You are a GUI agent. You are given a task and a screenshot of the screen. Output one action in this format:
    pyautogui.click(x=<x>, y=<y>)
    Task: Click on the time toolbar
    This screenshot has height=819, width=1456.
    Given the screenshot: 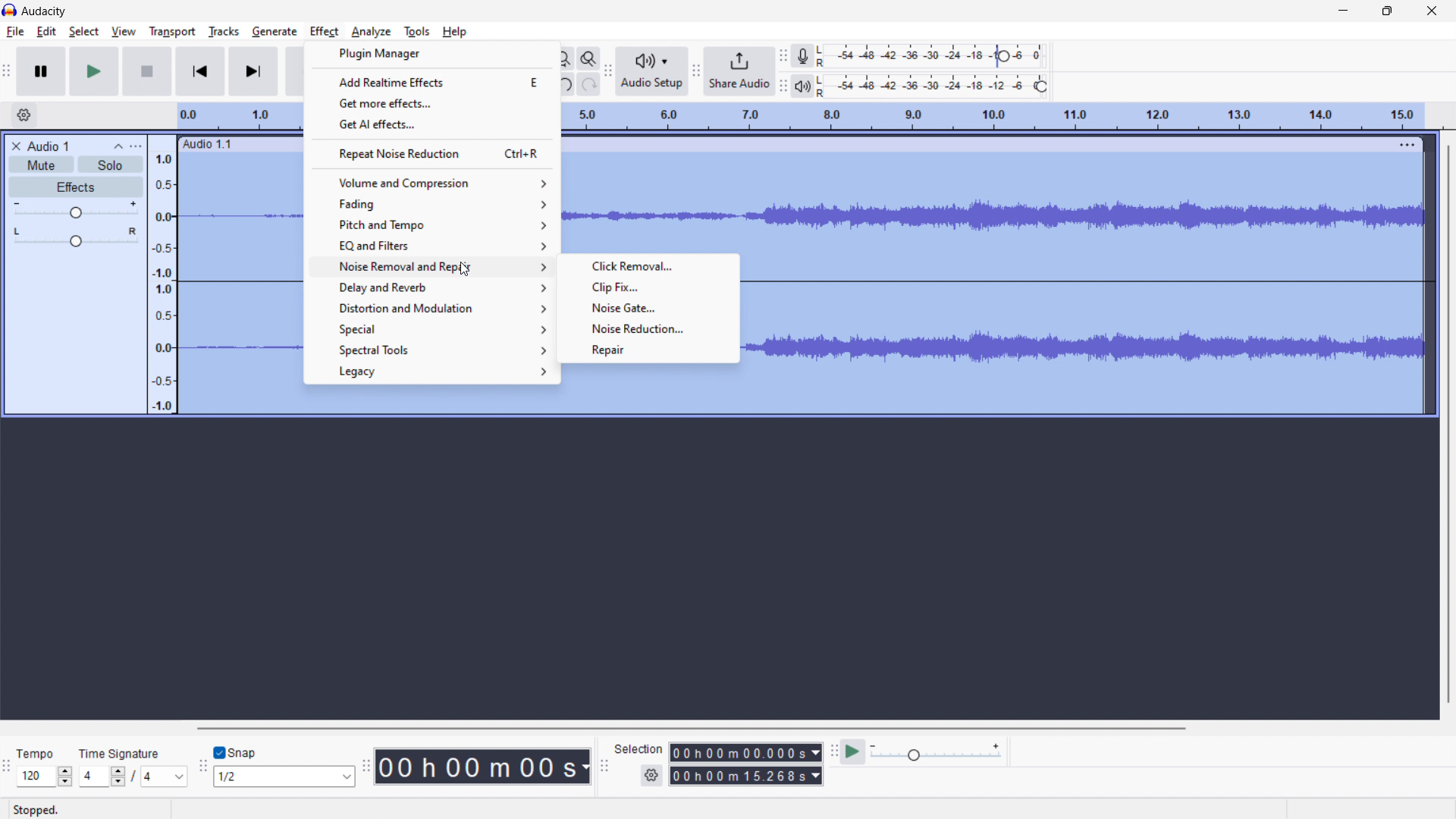 What is the action you would take?
    pyautogui.click(x=366, y=764)
    